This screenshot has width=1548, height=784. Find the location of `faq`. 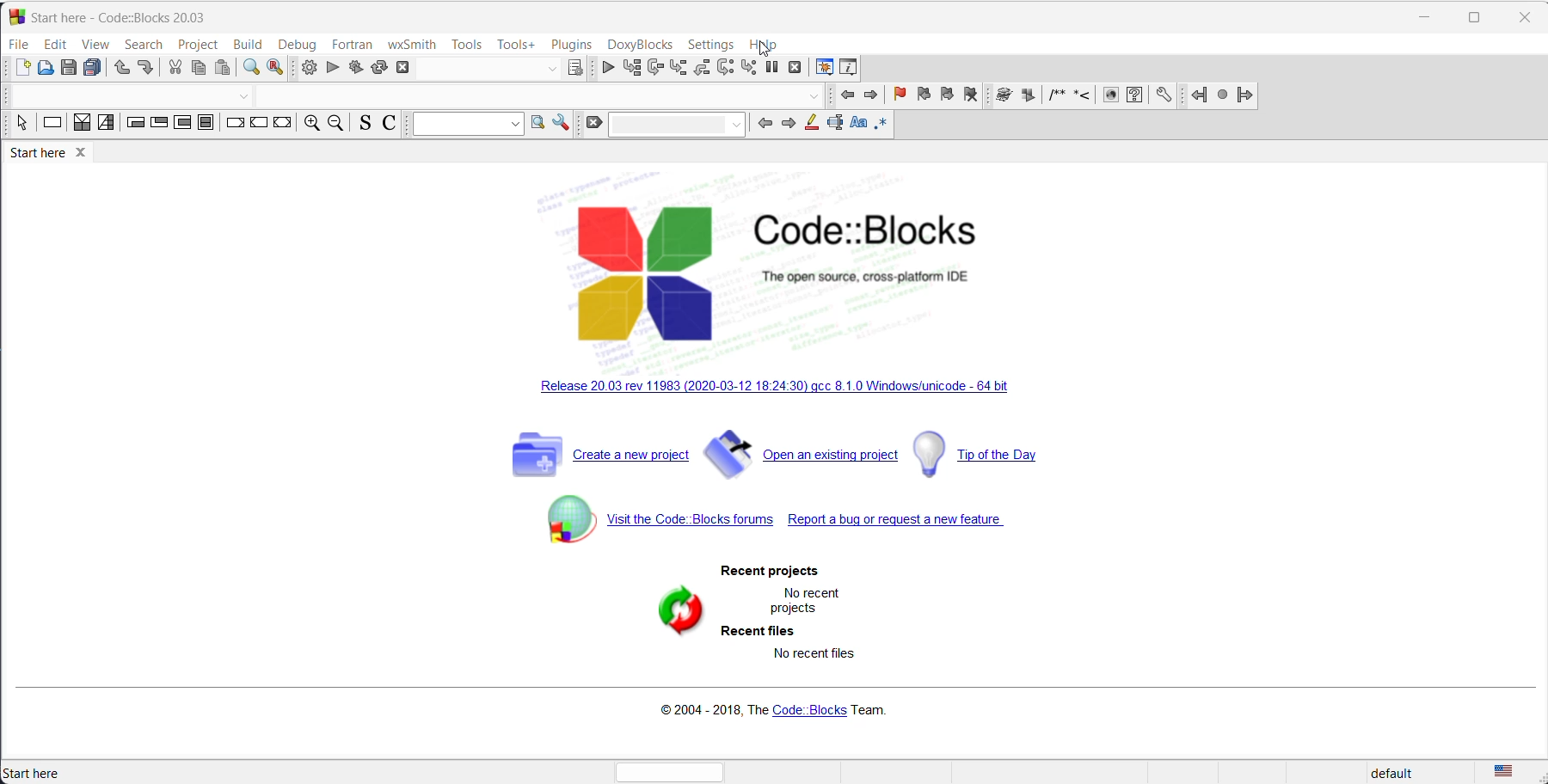

faq is located at coordinates (1135, 95).